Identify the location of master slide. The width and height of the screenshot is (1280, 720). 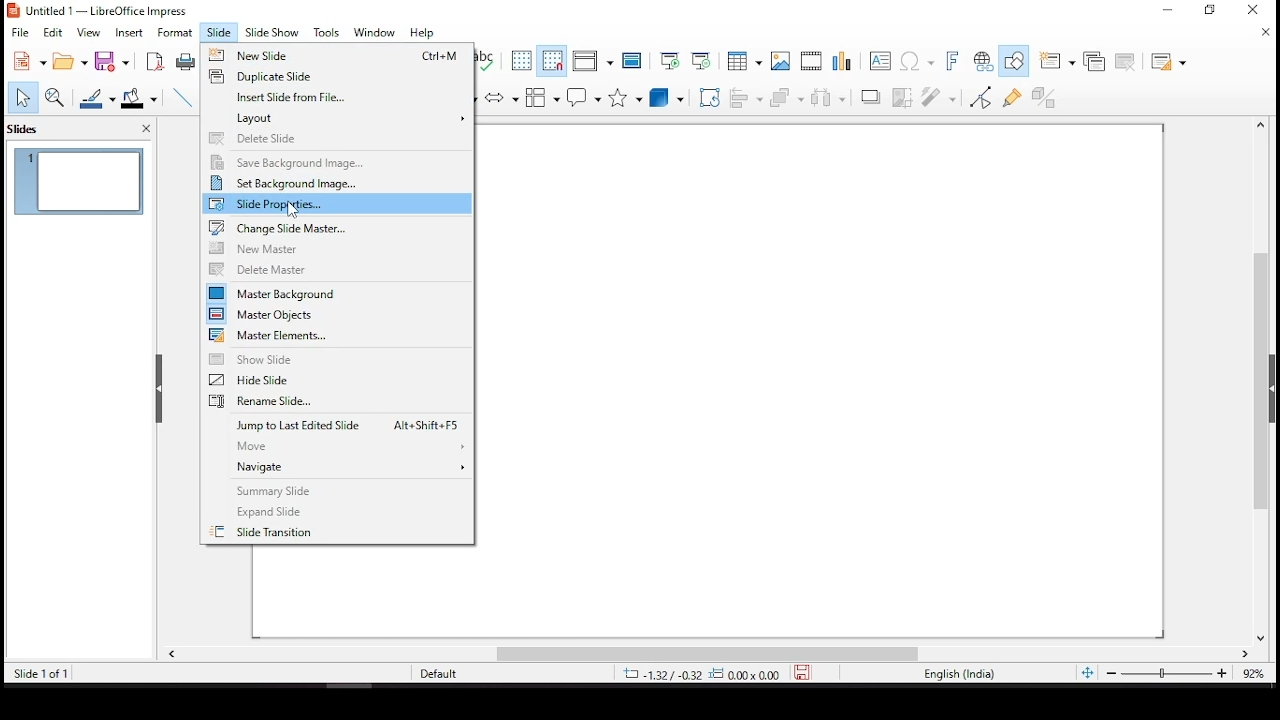
(635, 60).